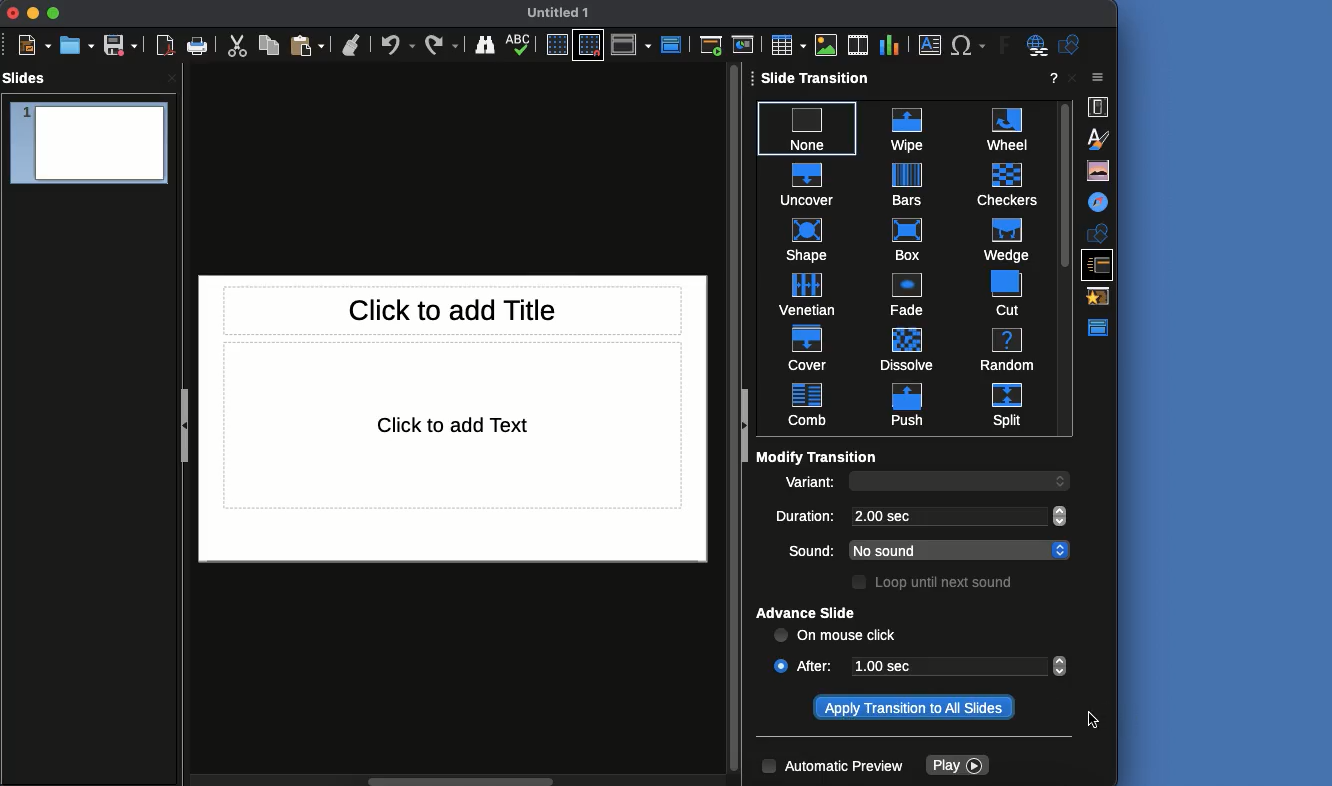 The width and height of the screenshot is (1332, 786). I want to click on Master view, so click(1101, 327).